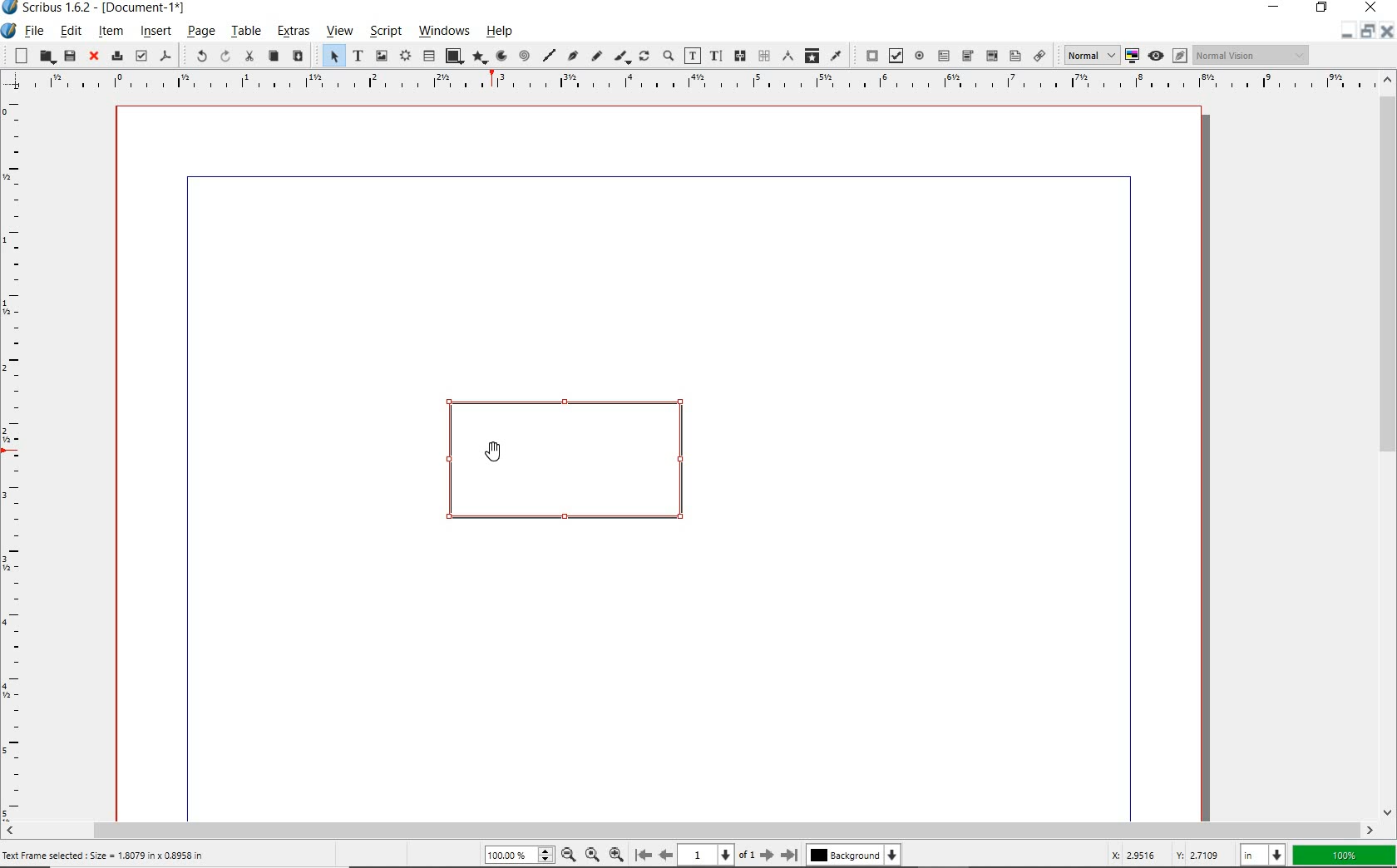 This screenshot has width=1397, height=868. What do you see at coordinates (786, 55) in the screenshot?
I see `measurements` at bounding box center [786, 55].